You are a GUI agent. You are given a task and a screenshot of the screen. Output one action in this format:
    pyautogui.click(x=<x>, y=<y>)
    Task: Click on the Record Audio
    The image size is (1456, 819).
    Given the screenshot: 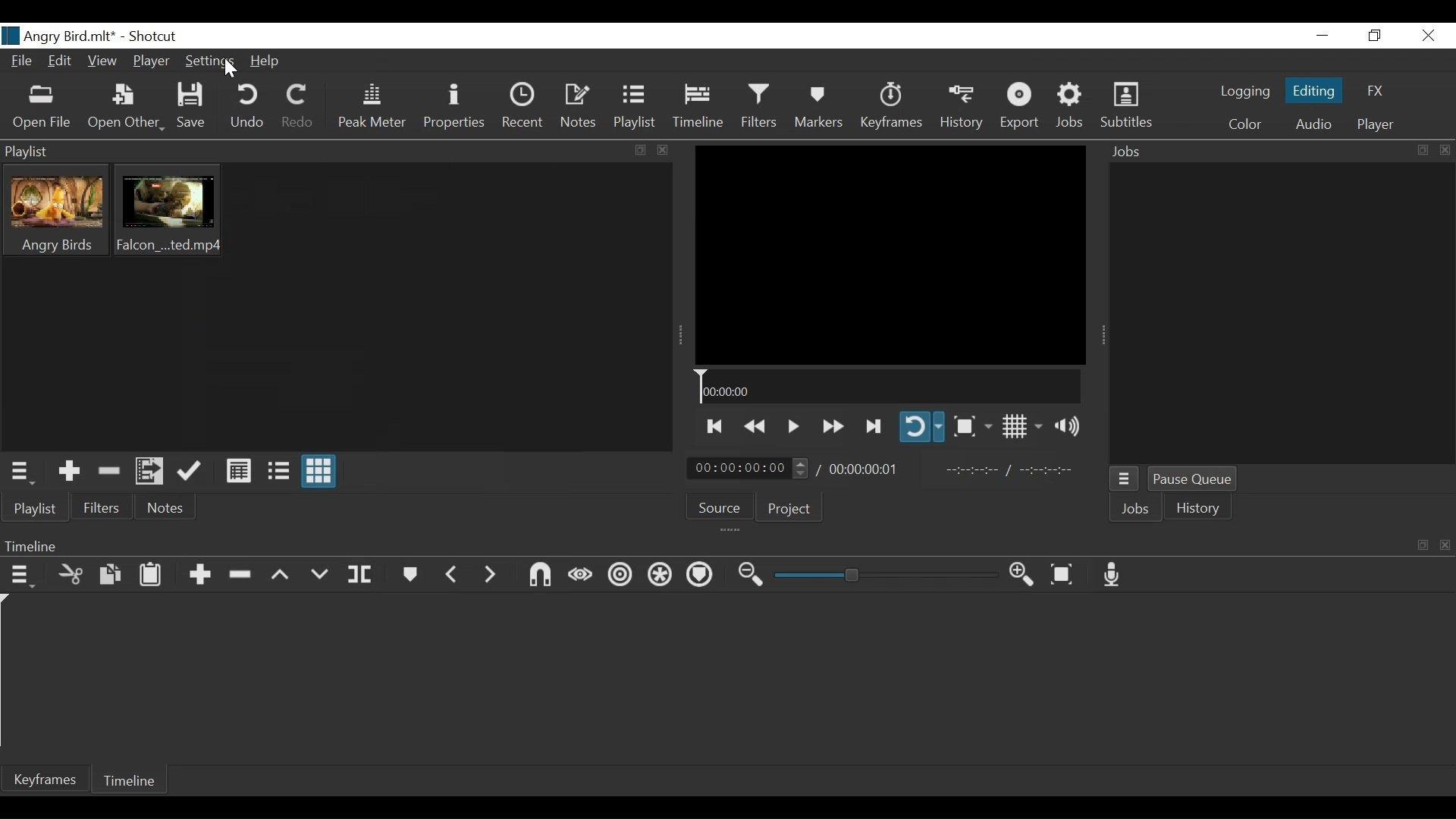 What is the action you would take?
    pyautogui.click(x=1113, y=575)
    